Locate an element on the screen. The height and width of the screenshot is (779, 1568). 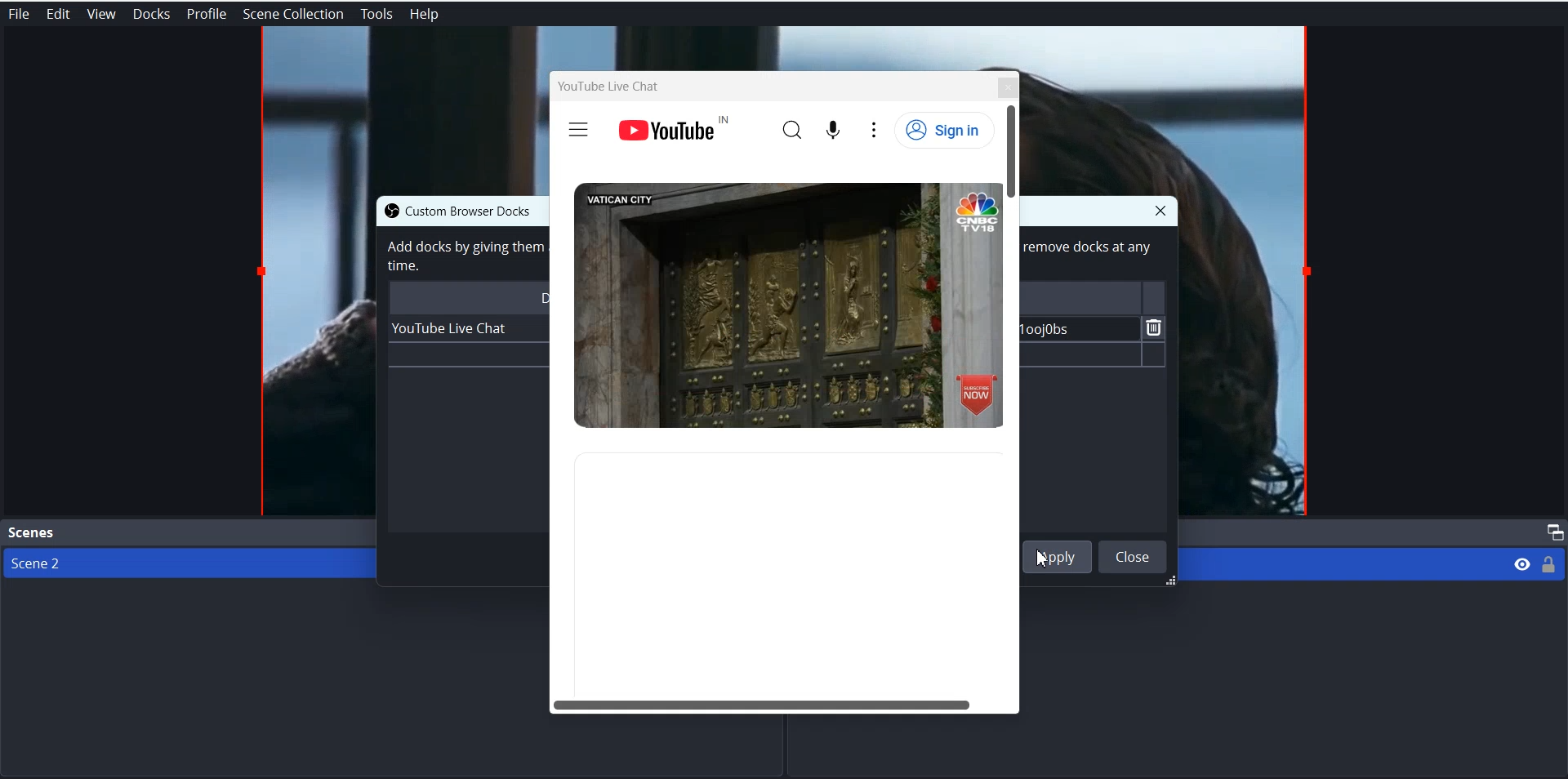
Eye is located at coordinates (1522, 563).